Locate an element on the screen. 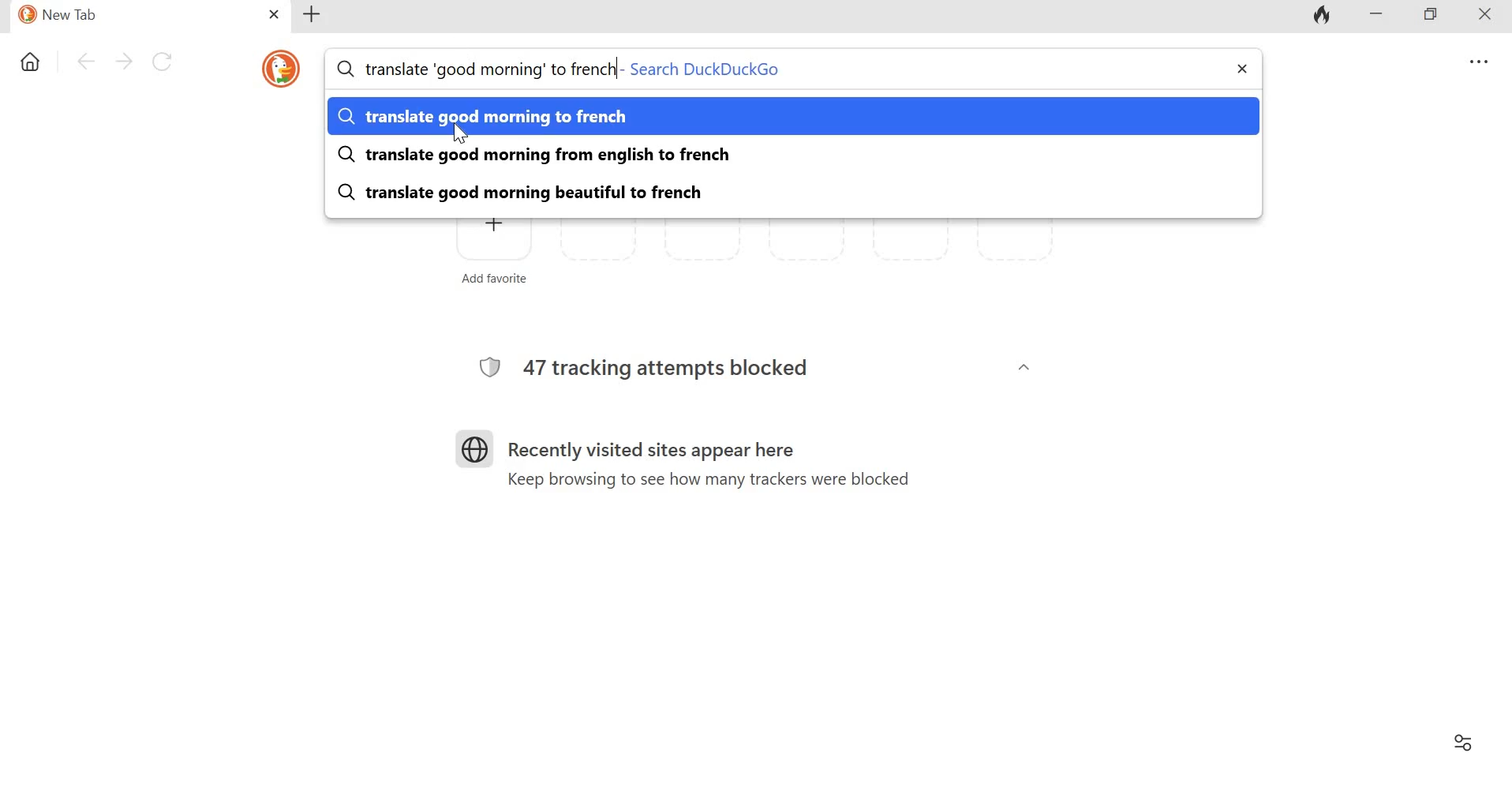  icon is located at coordinates (279, 69).